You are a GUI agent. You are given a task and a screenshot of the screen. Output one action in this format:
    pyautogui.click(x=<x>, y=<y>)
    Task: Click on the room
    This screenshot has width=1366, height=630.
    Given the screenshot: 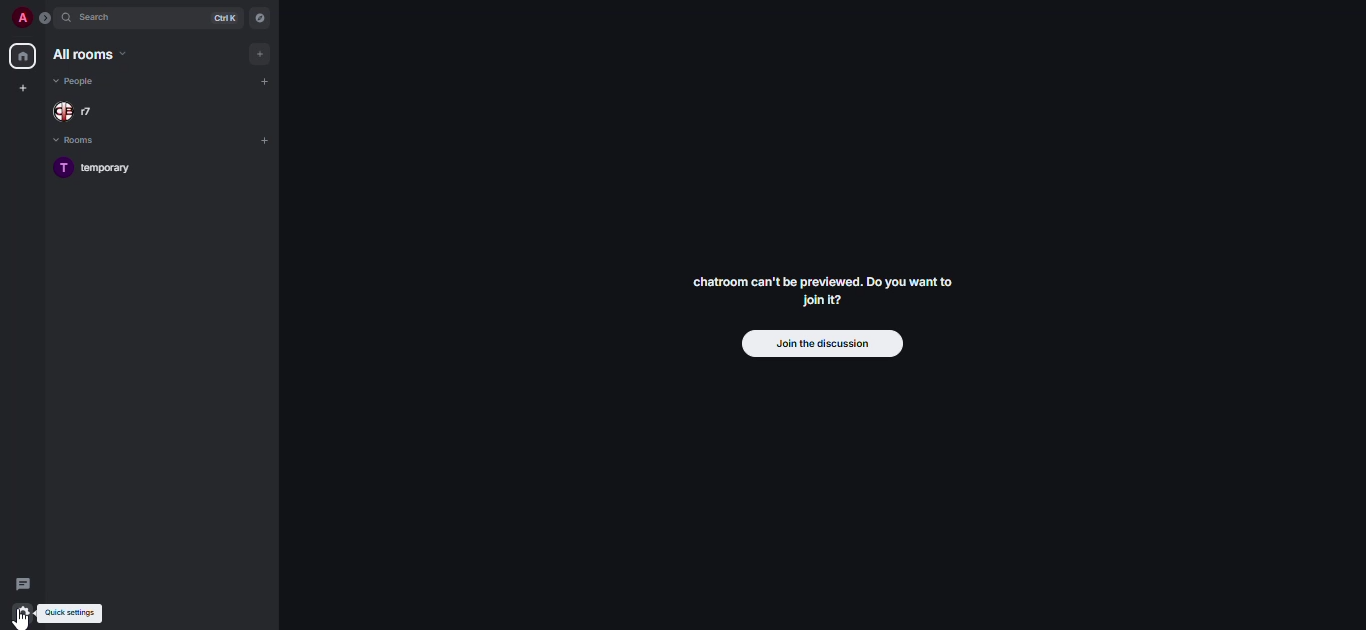 What is the action you would take?
    pyautogui.click(x=109, y=169)
    